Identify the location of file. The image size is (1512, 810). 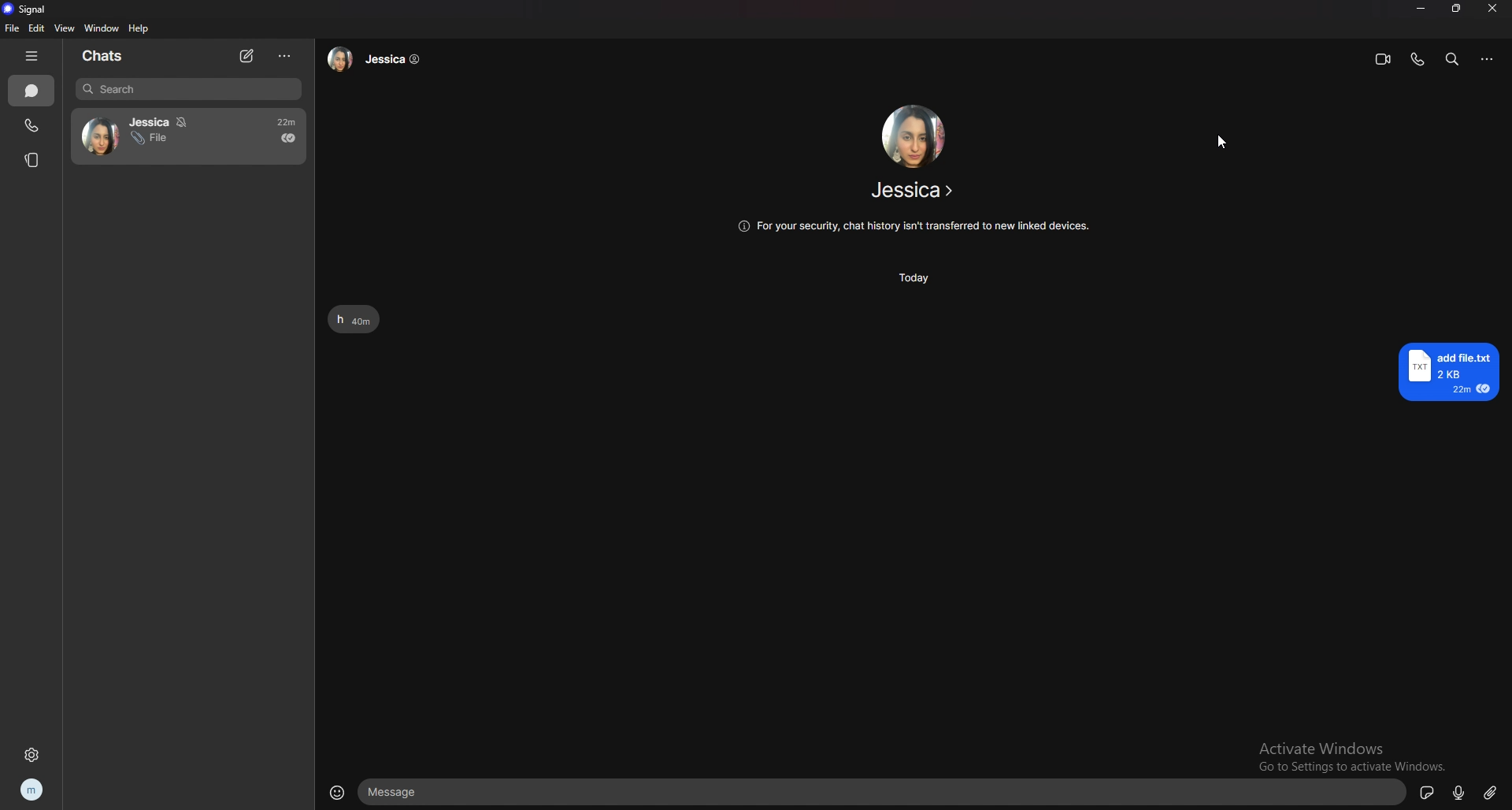
(13, 28).